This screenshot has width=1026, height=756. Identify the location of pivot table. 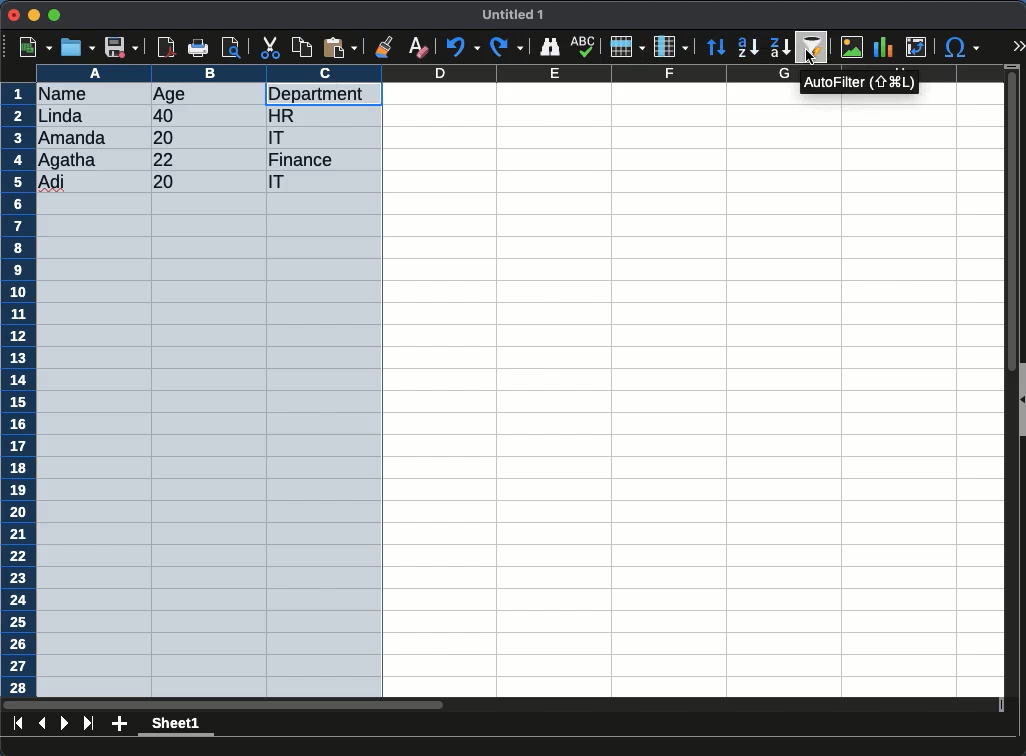
(916, 48).